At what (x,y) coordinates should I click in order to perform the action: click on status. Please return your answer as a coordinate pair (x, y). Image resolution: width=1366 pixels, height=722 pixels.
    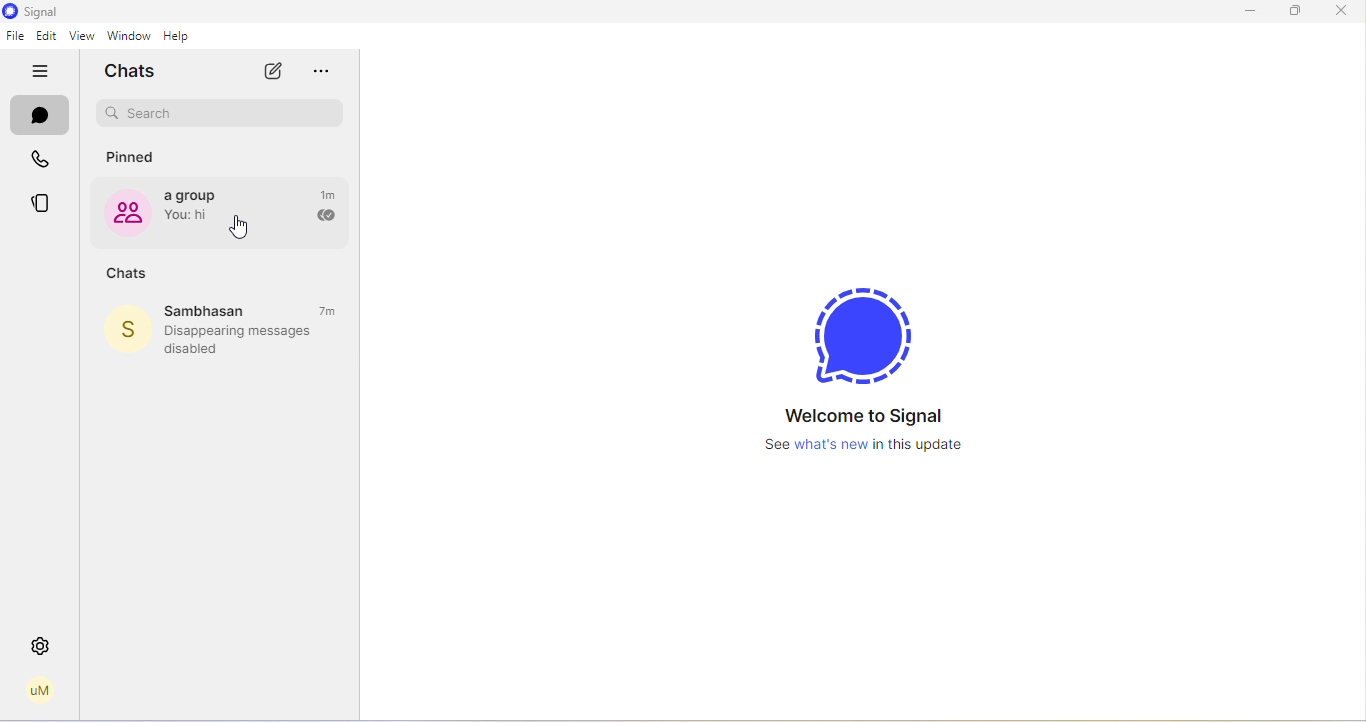
    Looking at the image, I should click on (44, 204).